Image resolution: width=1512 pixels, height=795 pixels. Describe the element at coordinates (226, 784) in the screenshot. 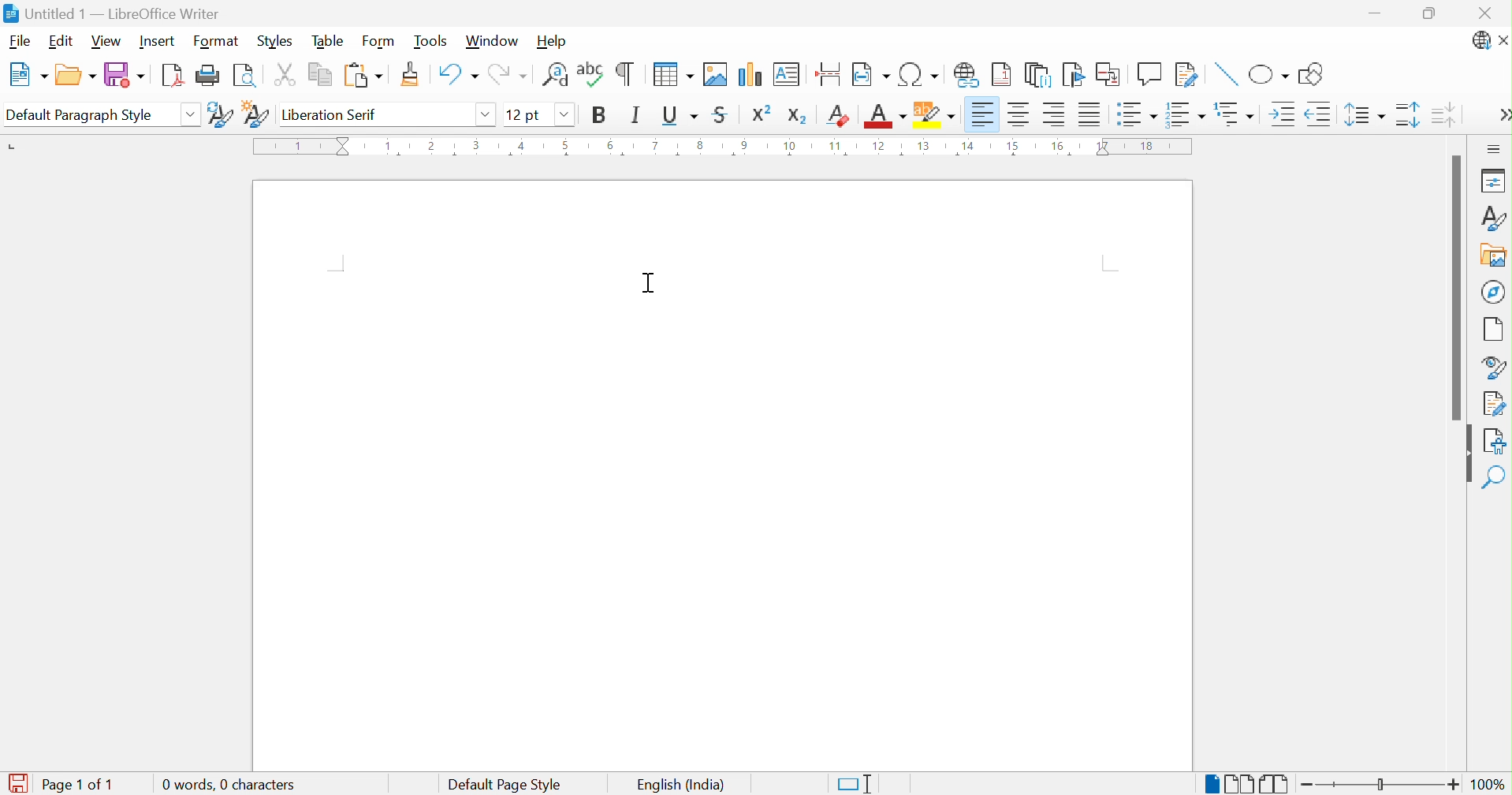

I see `0 words, 0 characters` at that location.